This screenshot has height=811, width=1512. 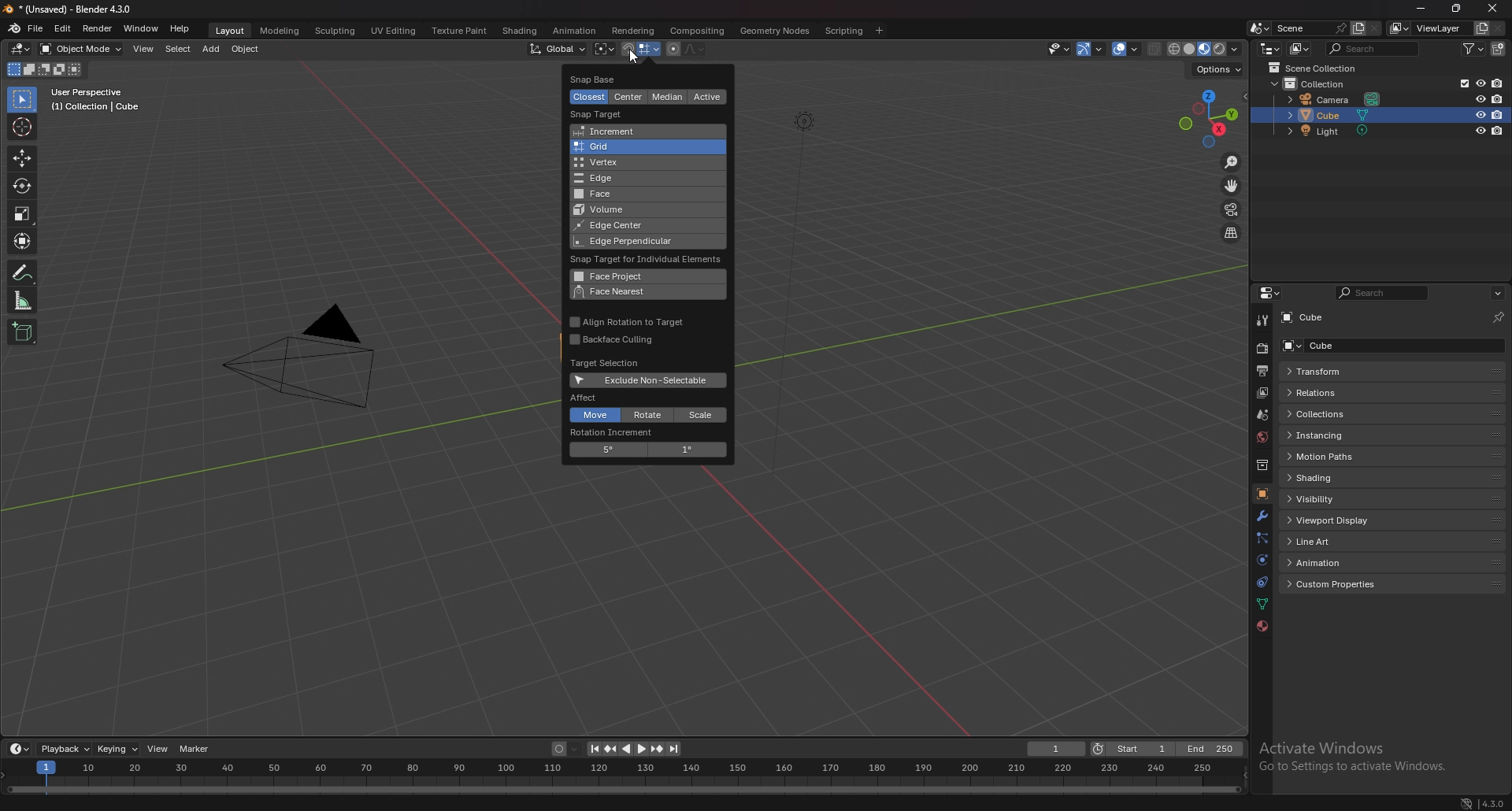 I want to click on layout, so click(x=231, y=31).